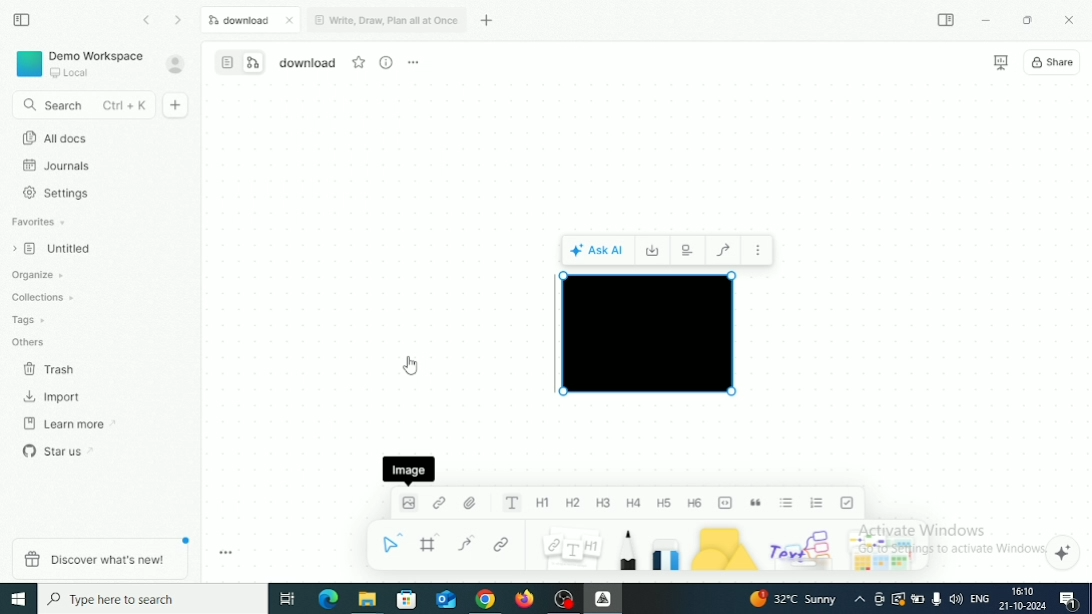  Describe the element at coordinates (444, 600) in the screenshot. I see `Mail` at that location.